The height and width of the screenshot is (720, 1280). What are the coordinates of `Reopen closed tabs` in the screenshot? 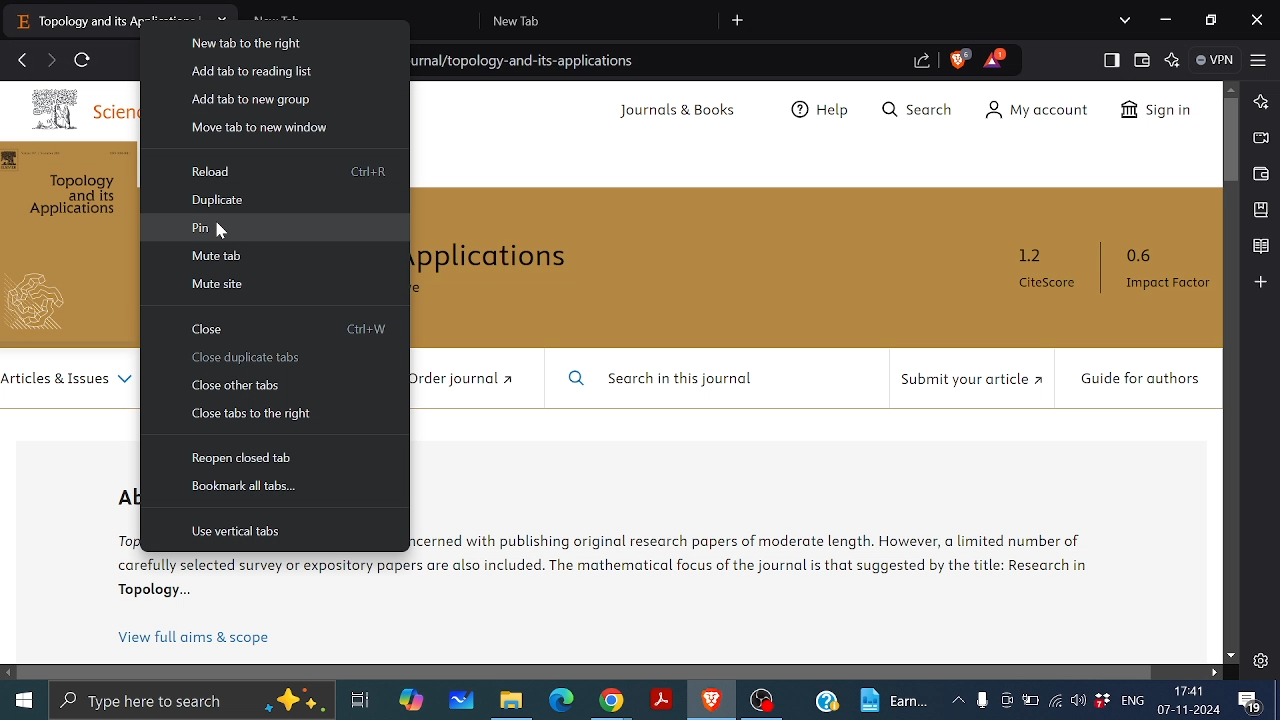 It's located at (238, 460).